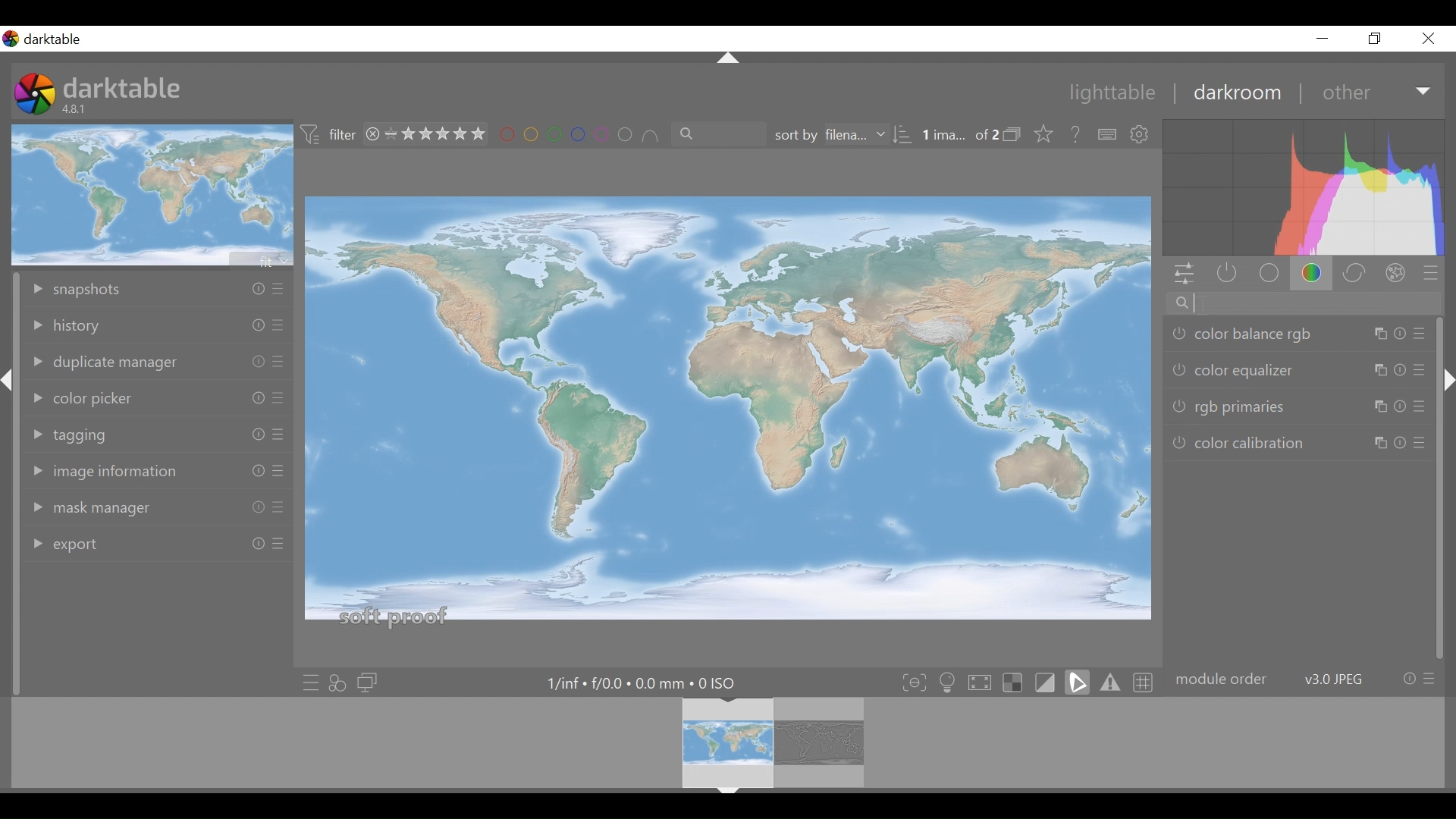 This screenshot has width=1456, height=819. What do you see at coordinates (342, 133) in the screenshot?
I see `filter` at bounding box center [342, 133].